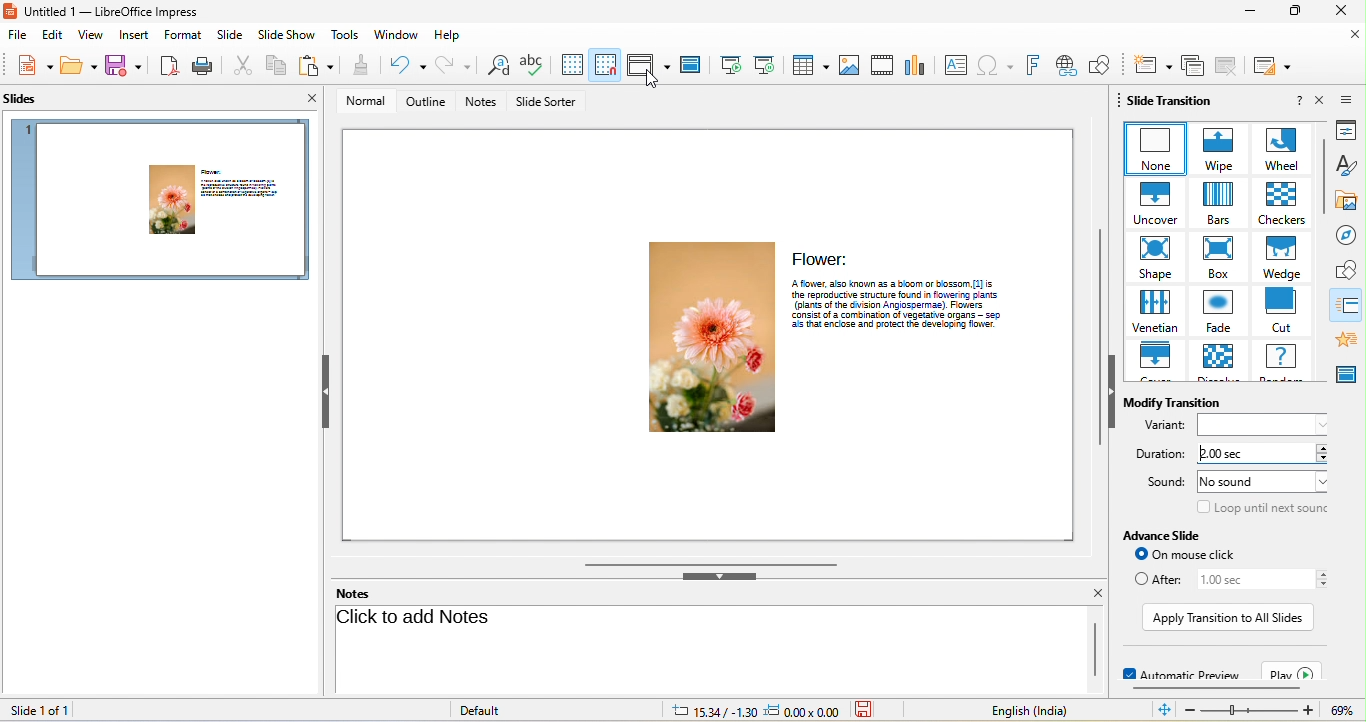 The image size is (1366, 722). Describe the element at coordinates (325, 390) in the screenshot. I see `hide sidebar` at that location.